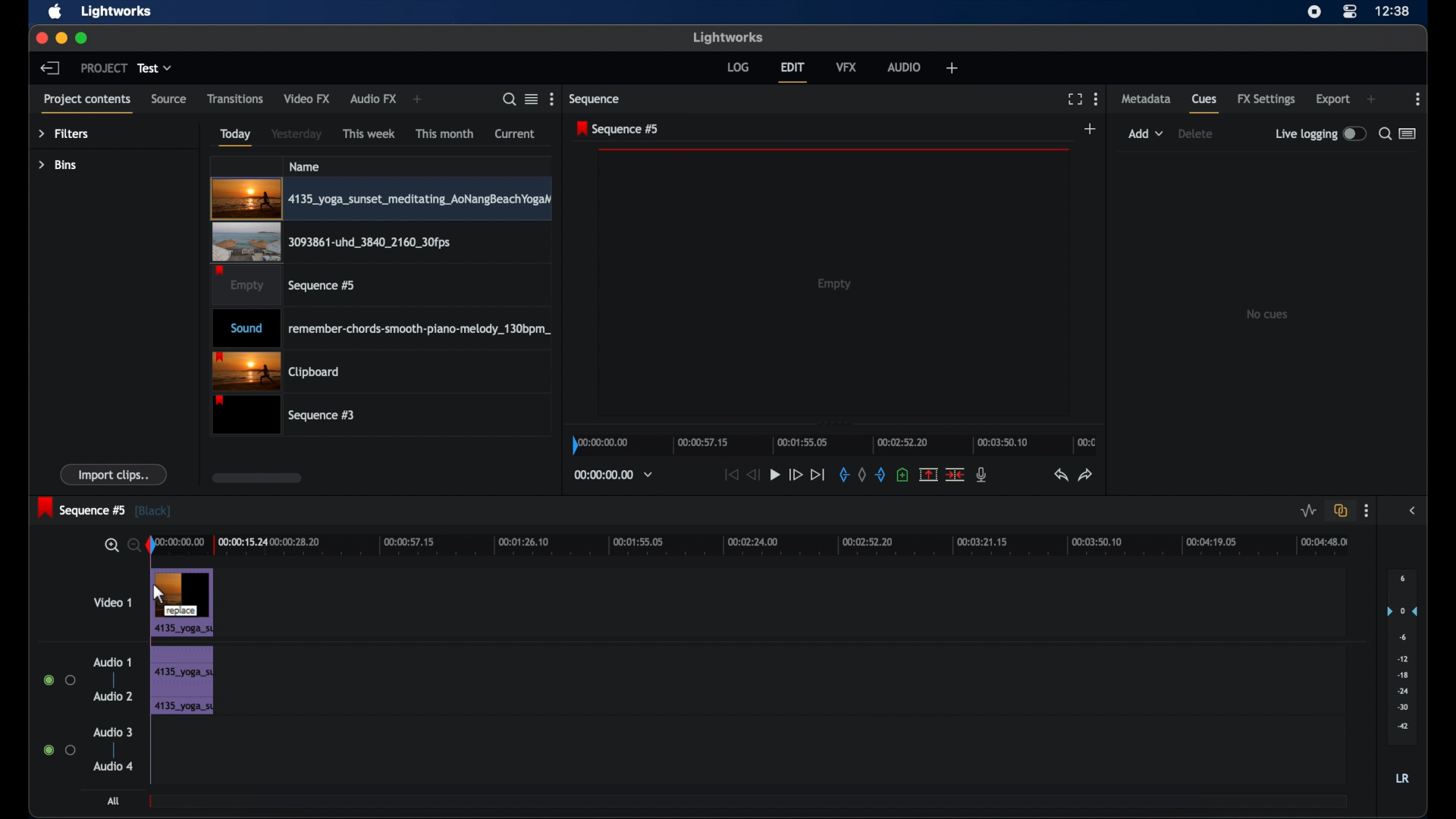 The height and width of the screenshot is (819, 1456). What do you see at coordinates (1268, 313) in the screenshot?
I see `no clips` at bounding box center [1268, 313].